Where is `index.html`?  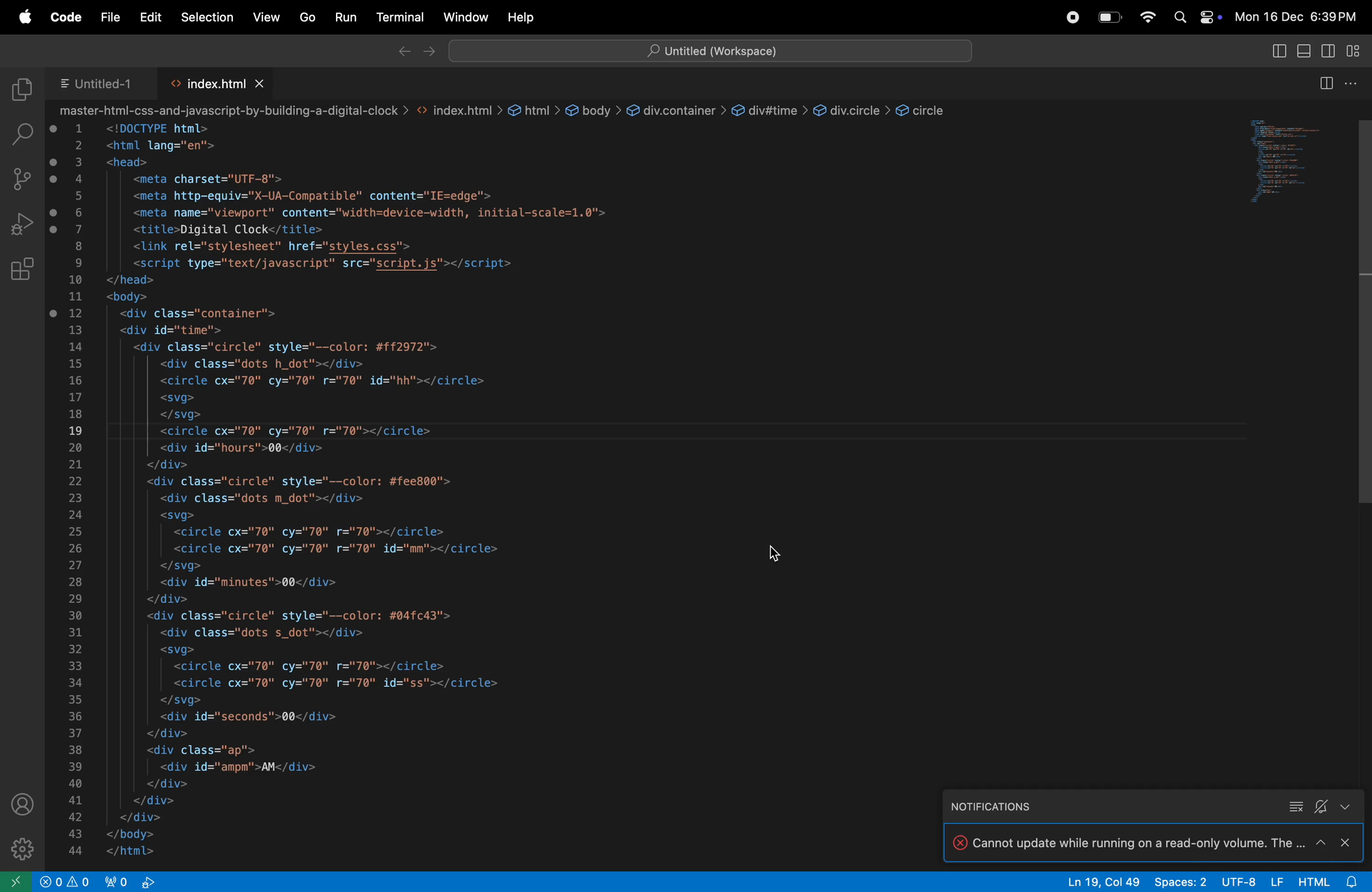 index.html is located at coordinates (218, 82).